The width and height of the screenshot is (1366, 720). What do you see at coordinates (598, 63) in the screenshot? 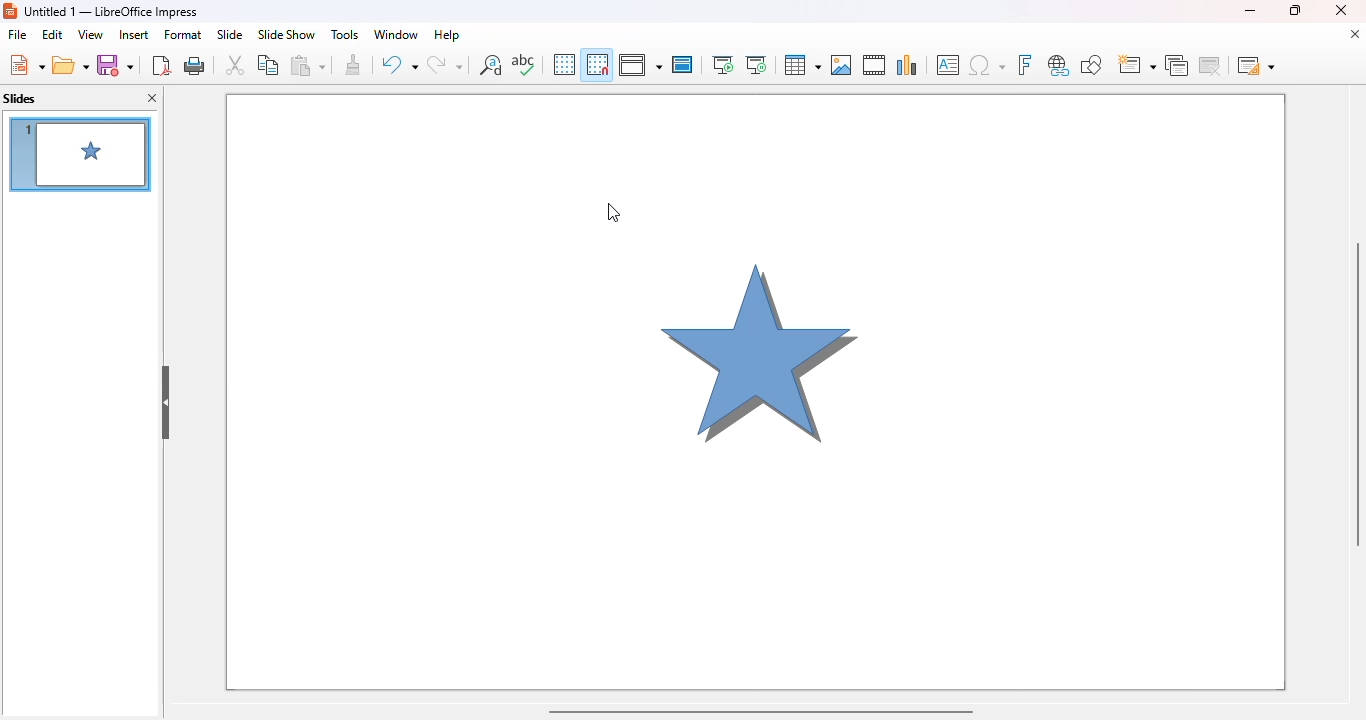
I see `snap to grid` at bounding box center [598, 63].